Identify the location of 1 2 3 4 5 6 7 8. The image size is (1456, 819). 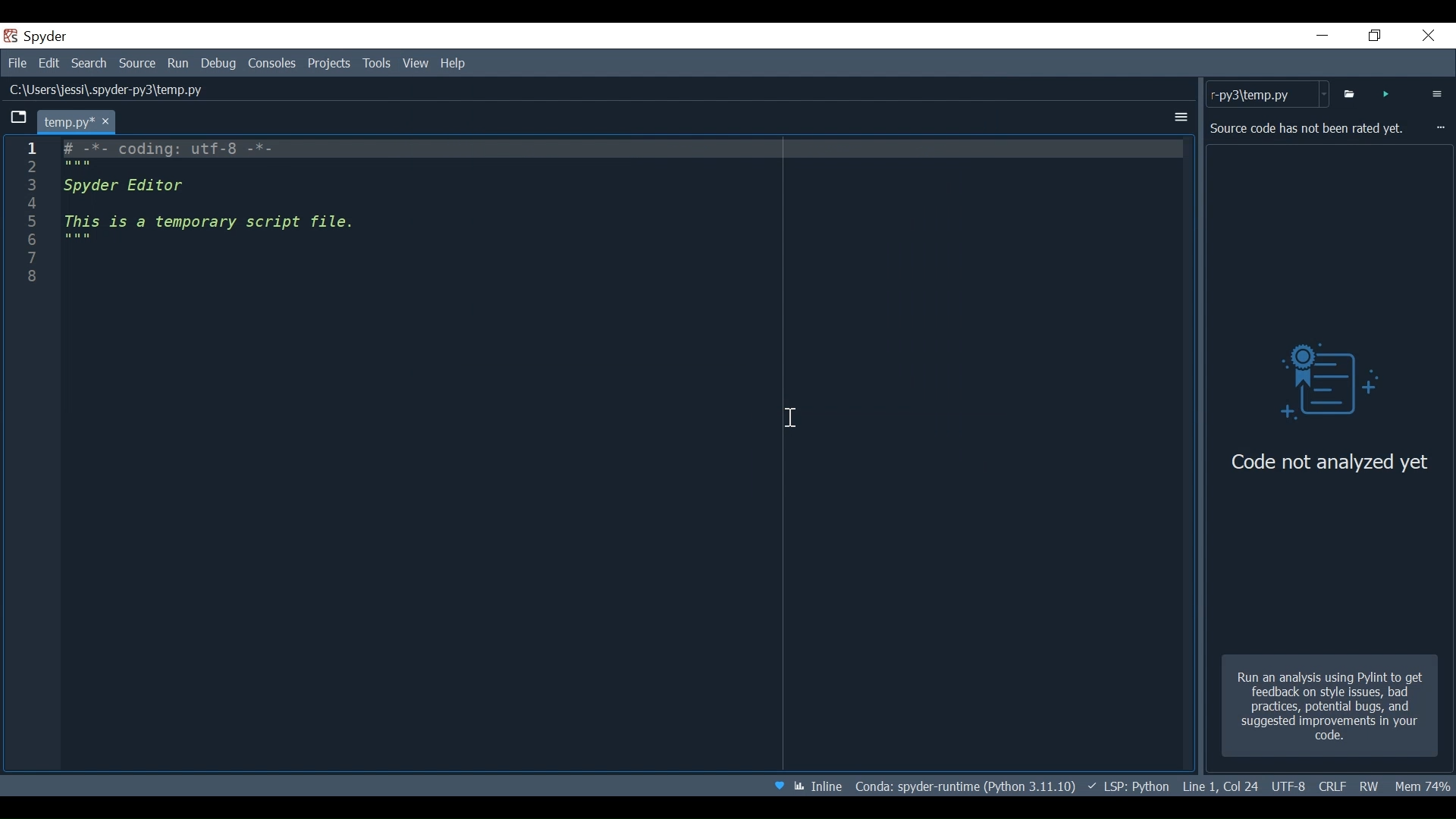
(33, 211).